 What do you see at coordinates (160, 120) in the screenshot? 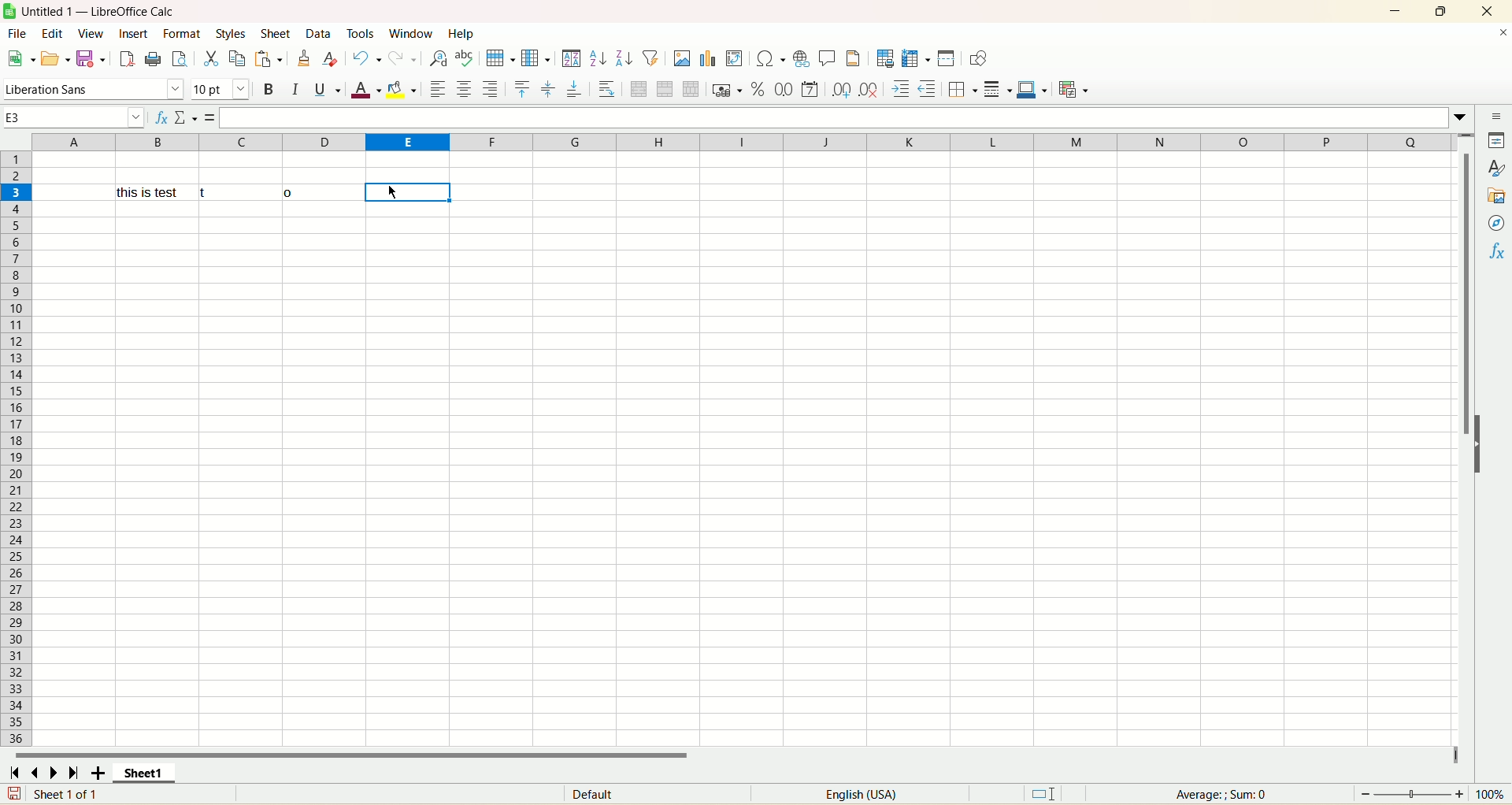
I see `function wizard` at bounding box center [160, 120].